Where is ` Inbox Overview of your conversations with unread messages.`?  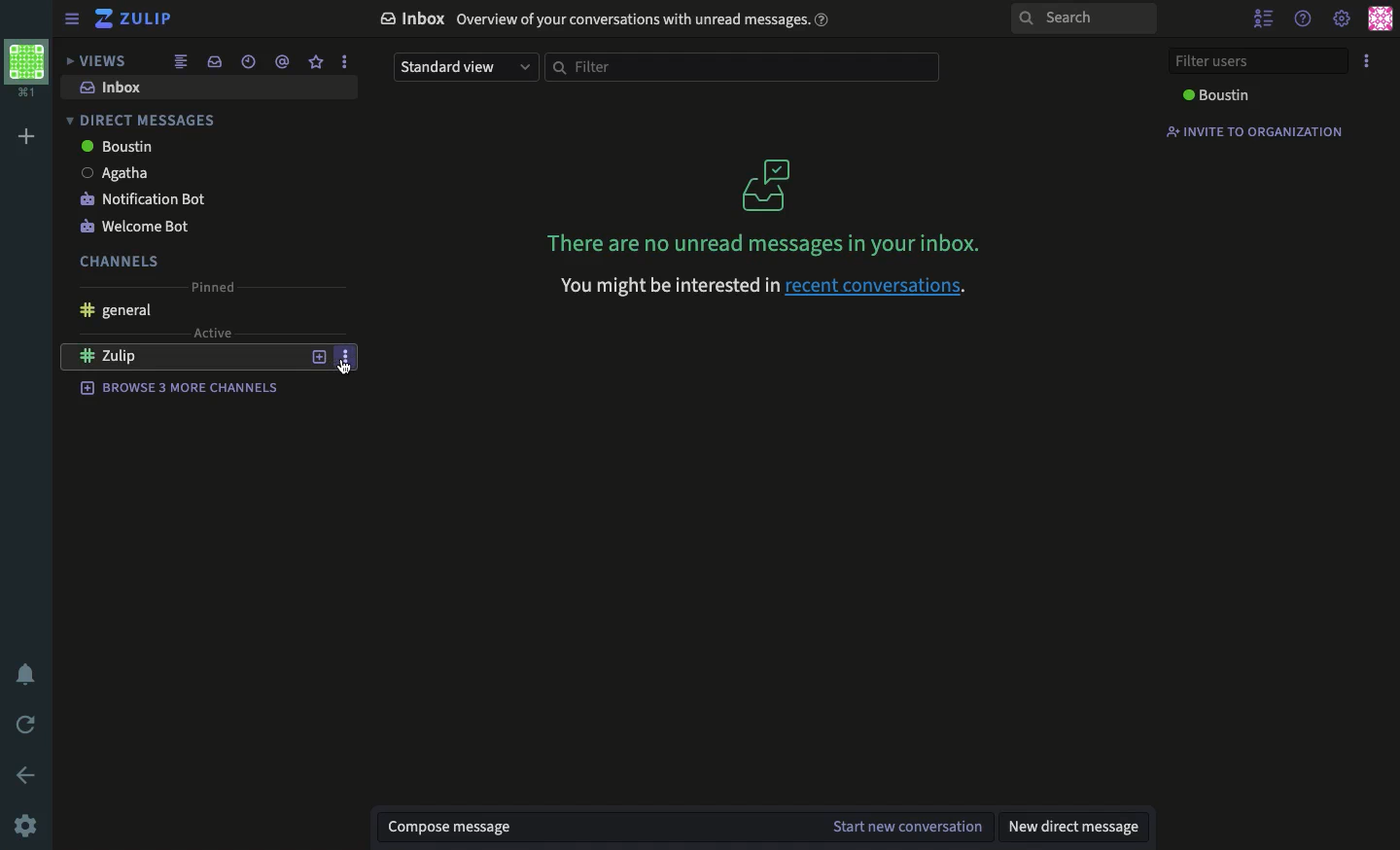
 Inbox Overview of your conversations with unread messages. is located at coordinates (605, 20).